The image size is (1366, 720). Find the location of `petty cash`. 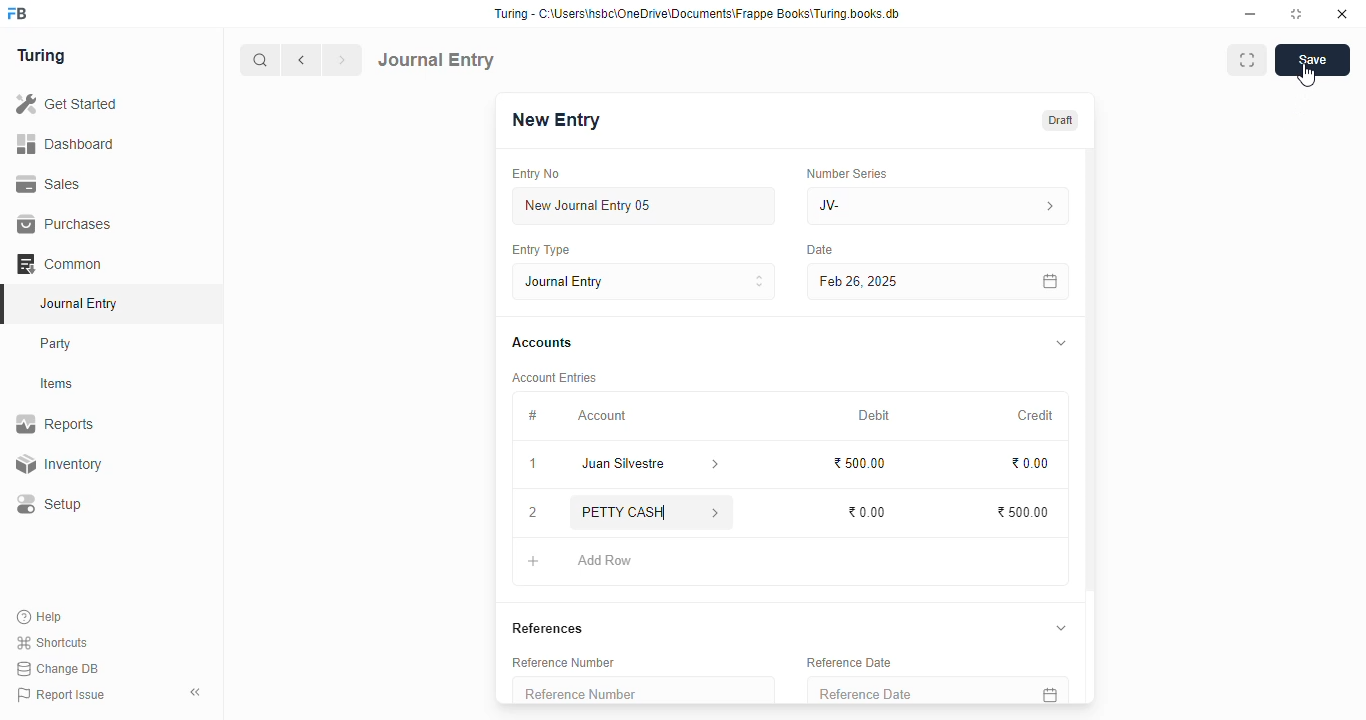

petty cash is located at coordinates (628, 512).